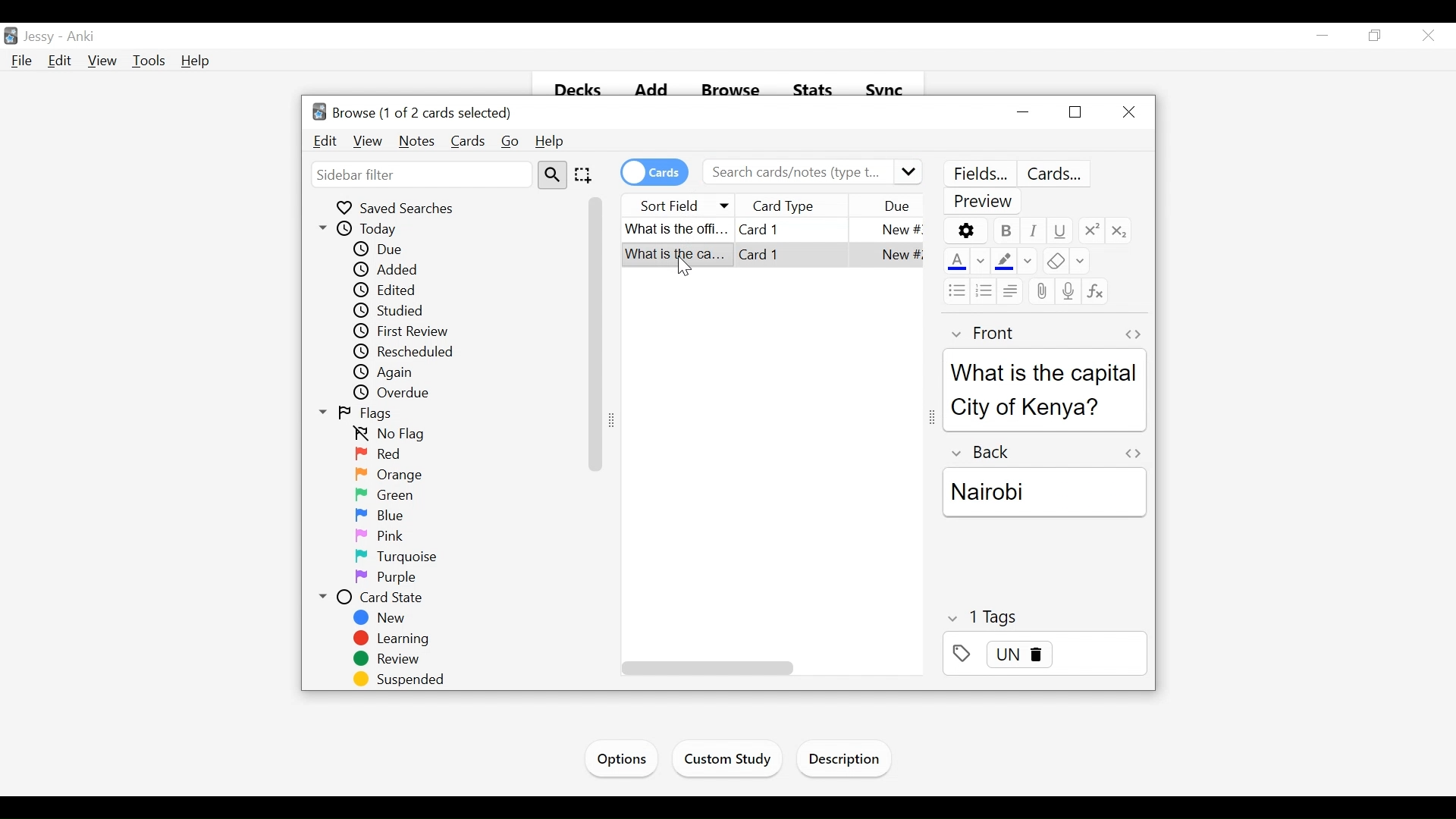 The image size is (1456, 819). What do you see at coordinates (1047, 528) in the screenshot?
I see `Back Field` at bounding box center [1047, 528].